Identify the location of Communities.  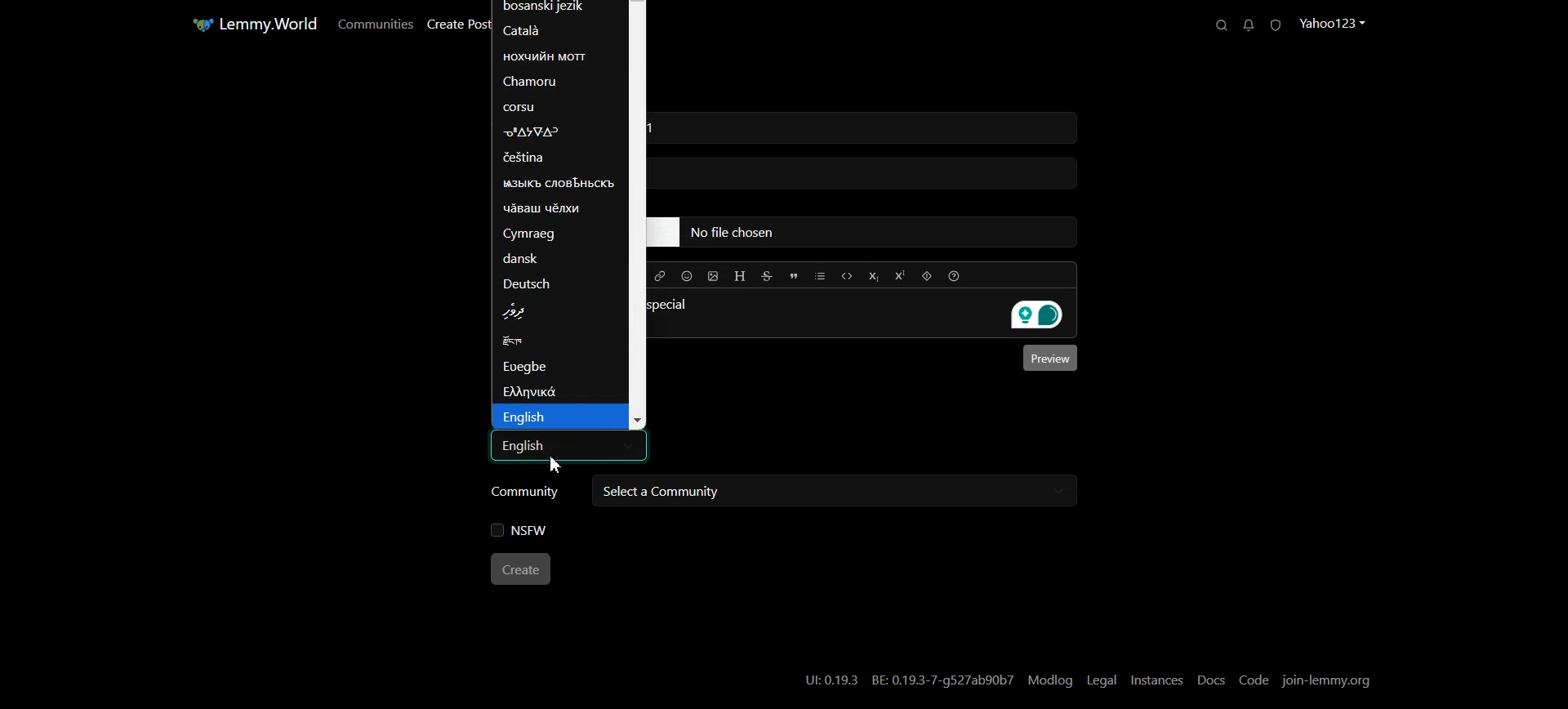
(373, 24).